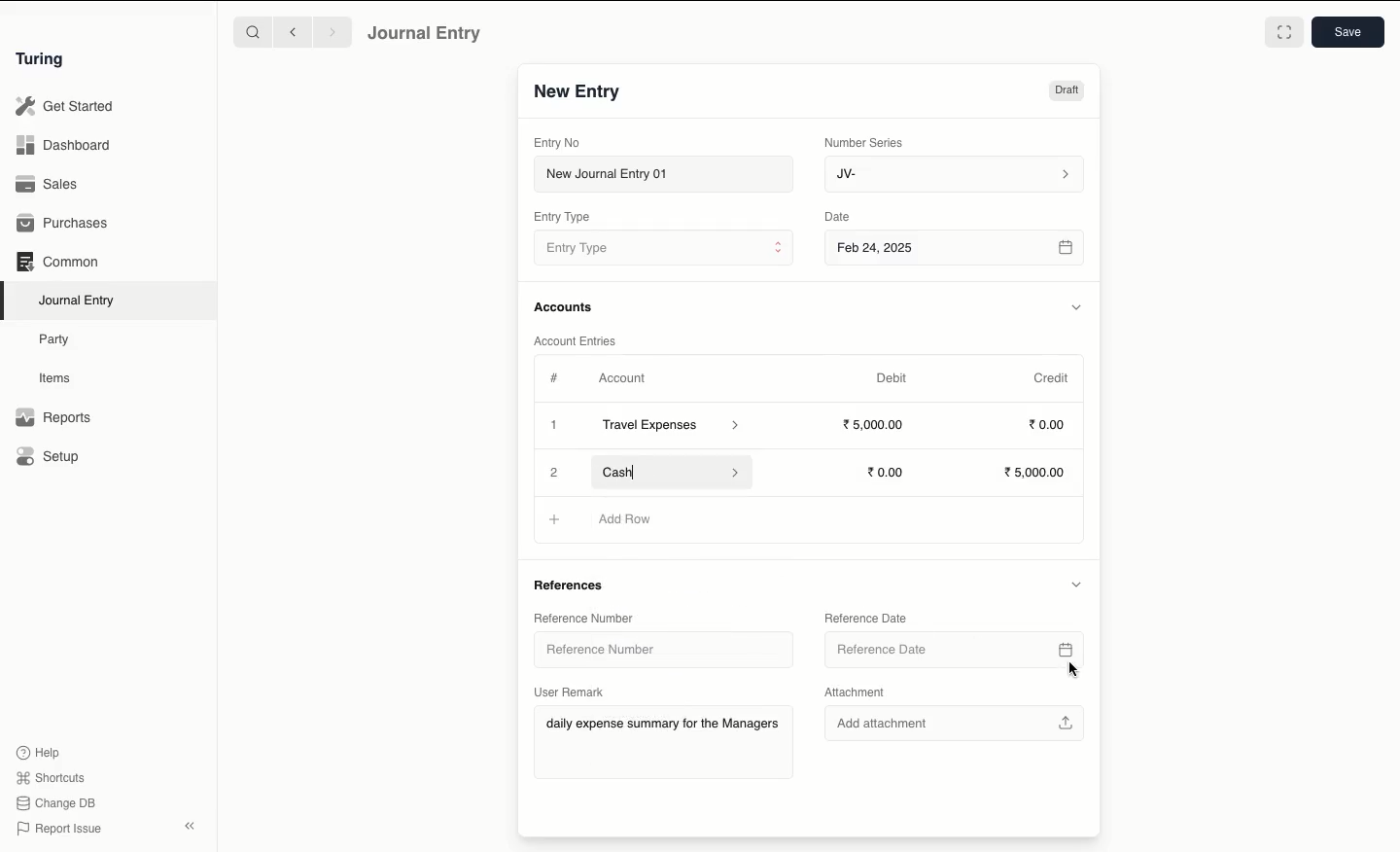 The width and height of the screenshot is (1400, 852). I want to click on Add Row, so click(626, 518).